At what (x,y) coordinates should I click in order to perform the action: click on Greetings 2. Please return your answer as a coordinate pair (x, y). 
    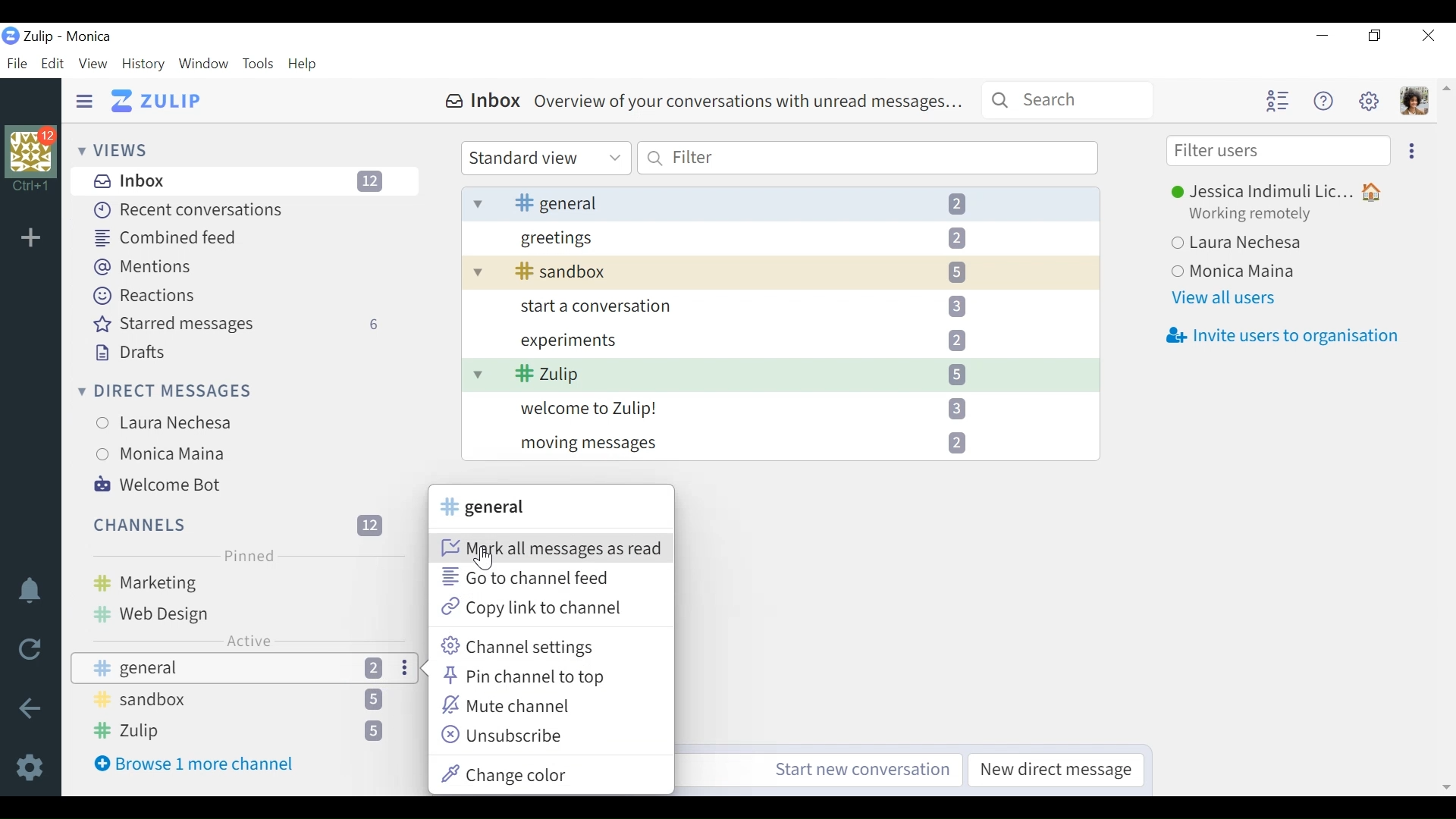
    Looking at the image, I should click on (781, 237).